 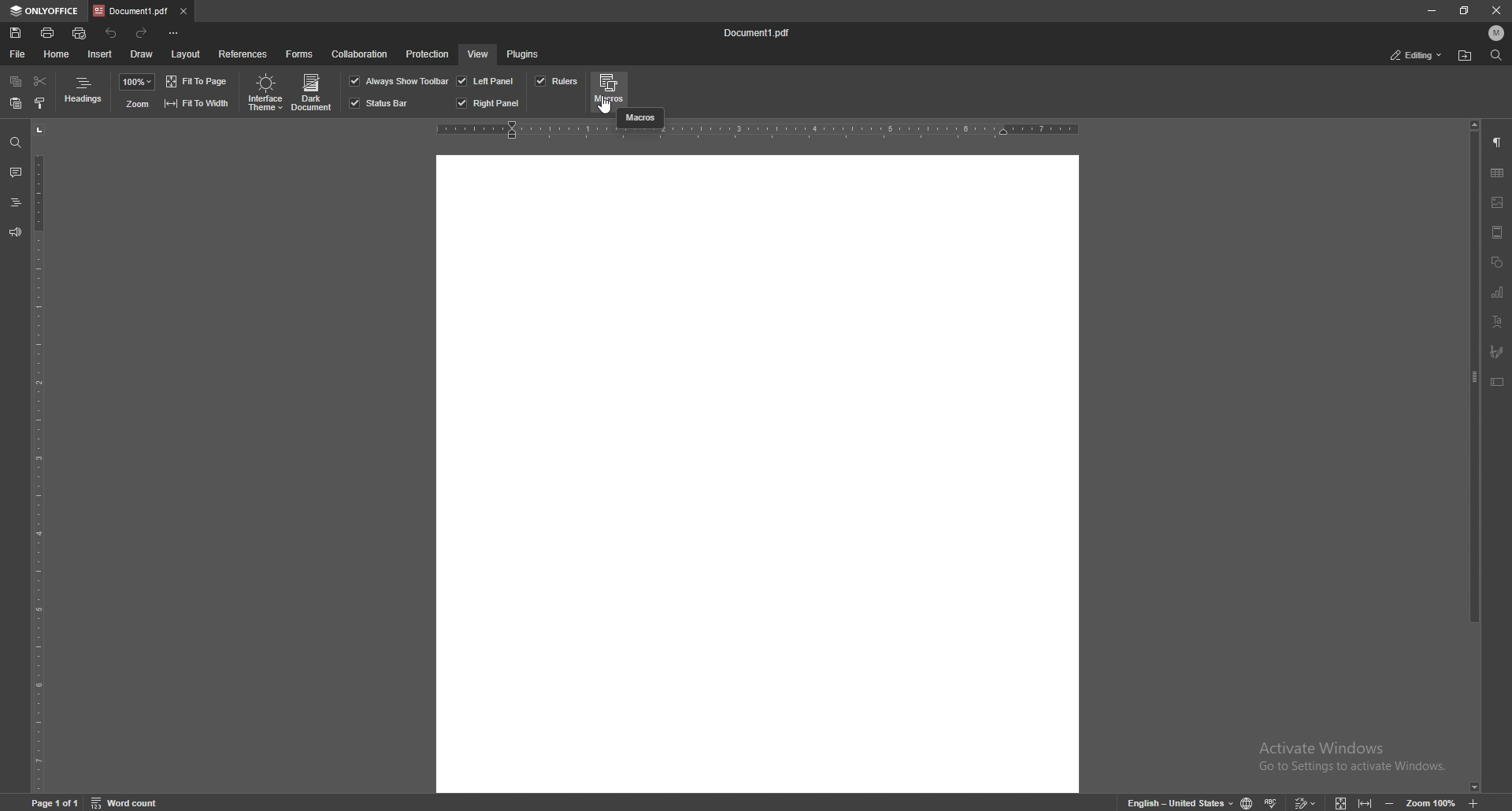 I want to click on paste, so click(x=16, y=104).